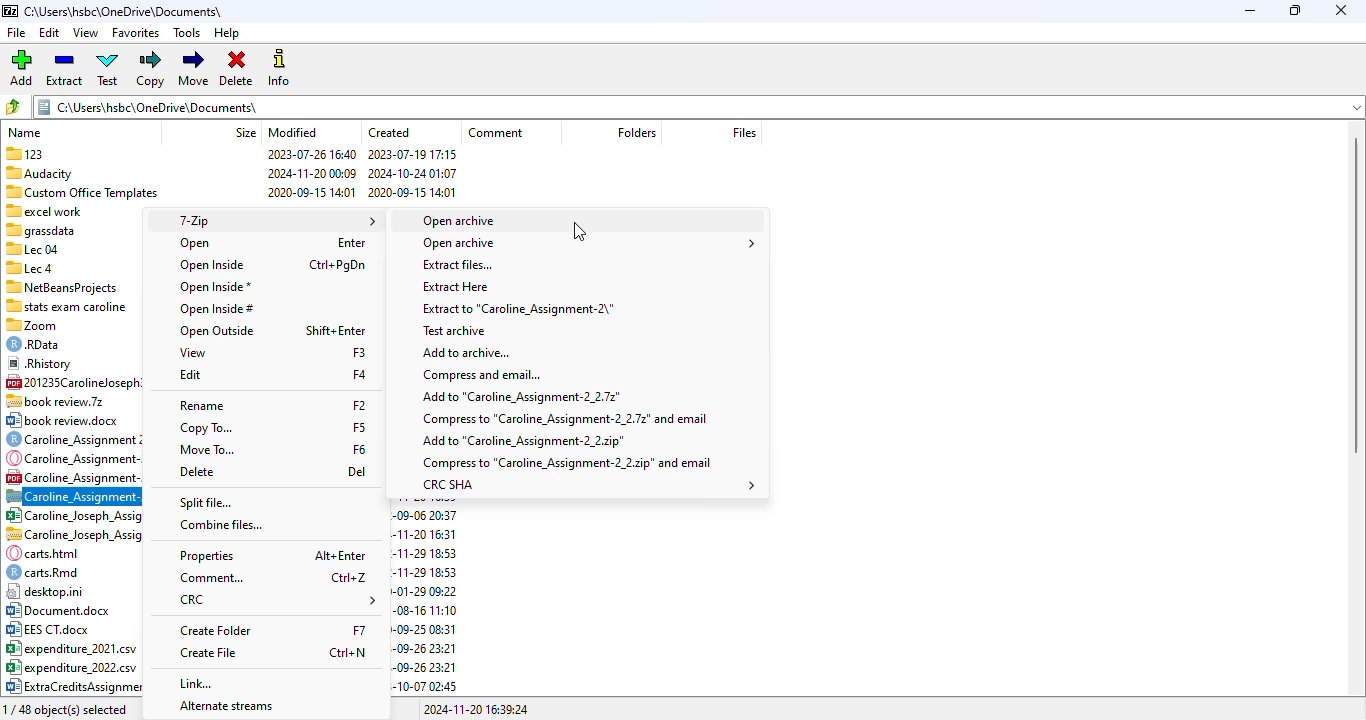 The image size is (1366, 720). Describe the element at coordinates (207, 556) in the screenshot. I see `properties` at that location.